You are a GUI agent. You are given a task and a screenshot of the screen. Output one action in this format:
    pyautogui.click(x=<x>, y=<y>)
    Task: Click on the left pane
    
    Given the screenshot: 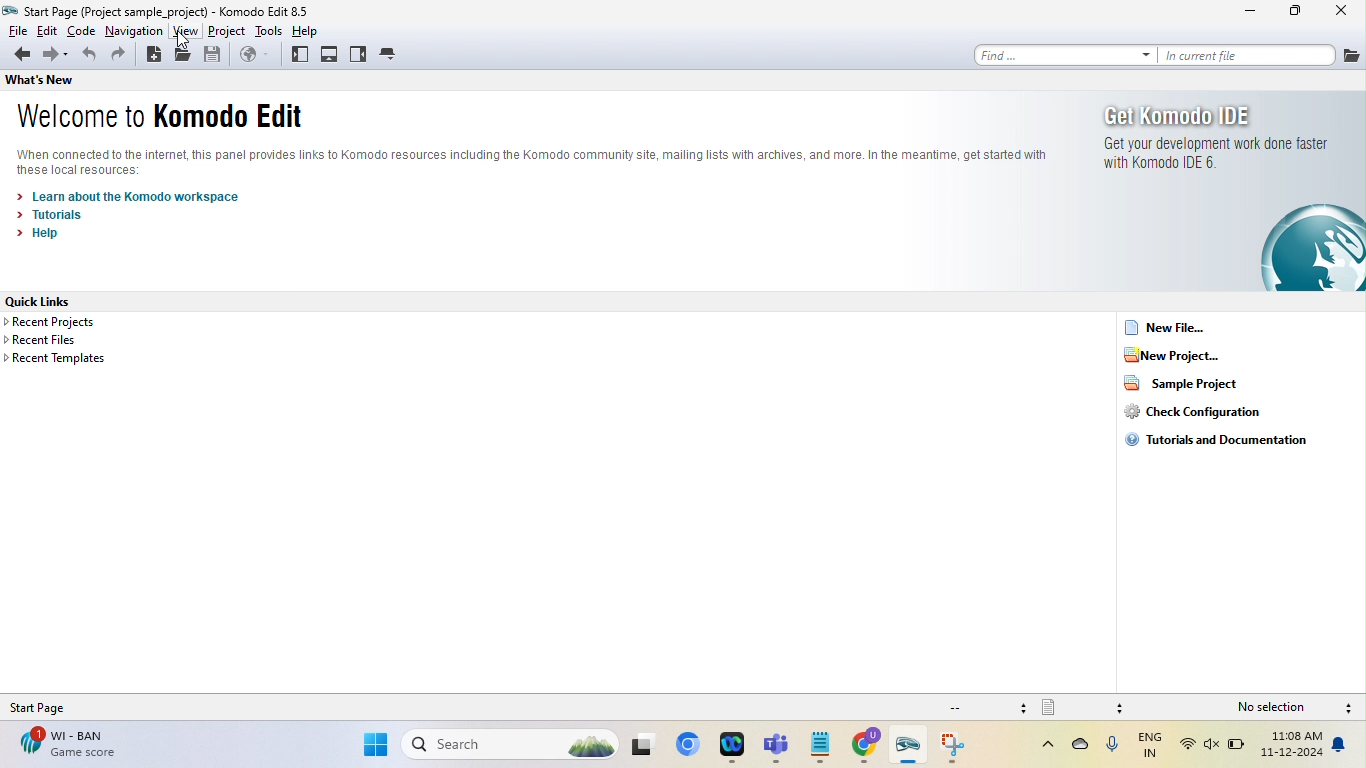 What is the action you would take?
    pyautogui.click(x=299, y=55)
    